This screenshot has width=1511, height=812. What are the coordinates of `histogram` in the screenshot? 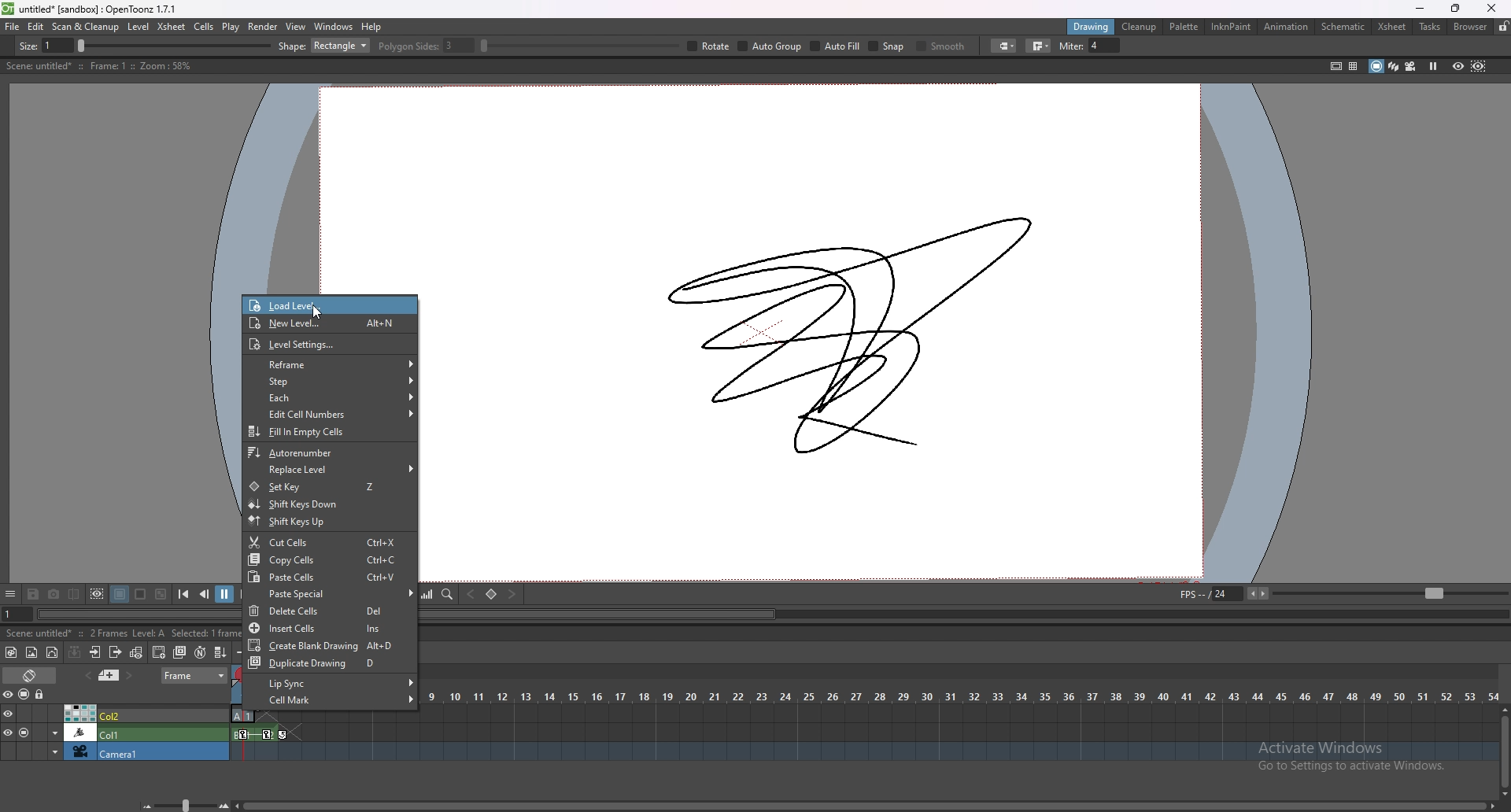 It's located at (427, 594).